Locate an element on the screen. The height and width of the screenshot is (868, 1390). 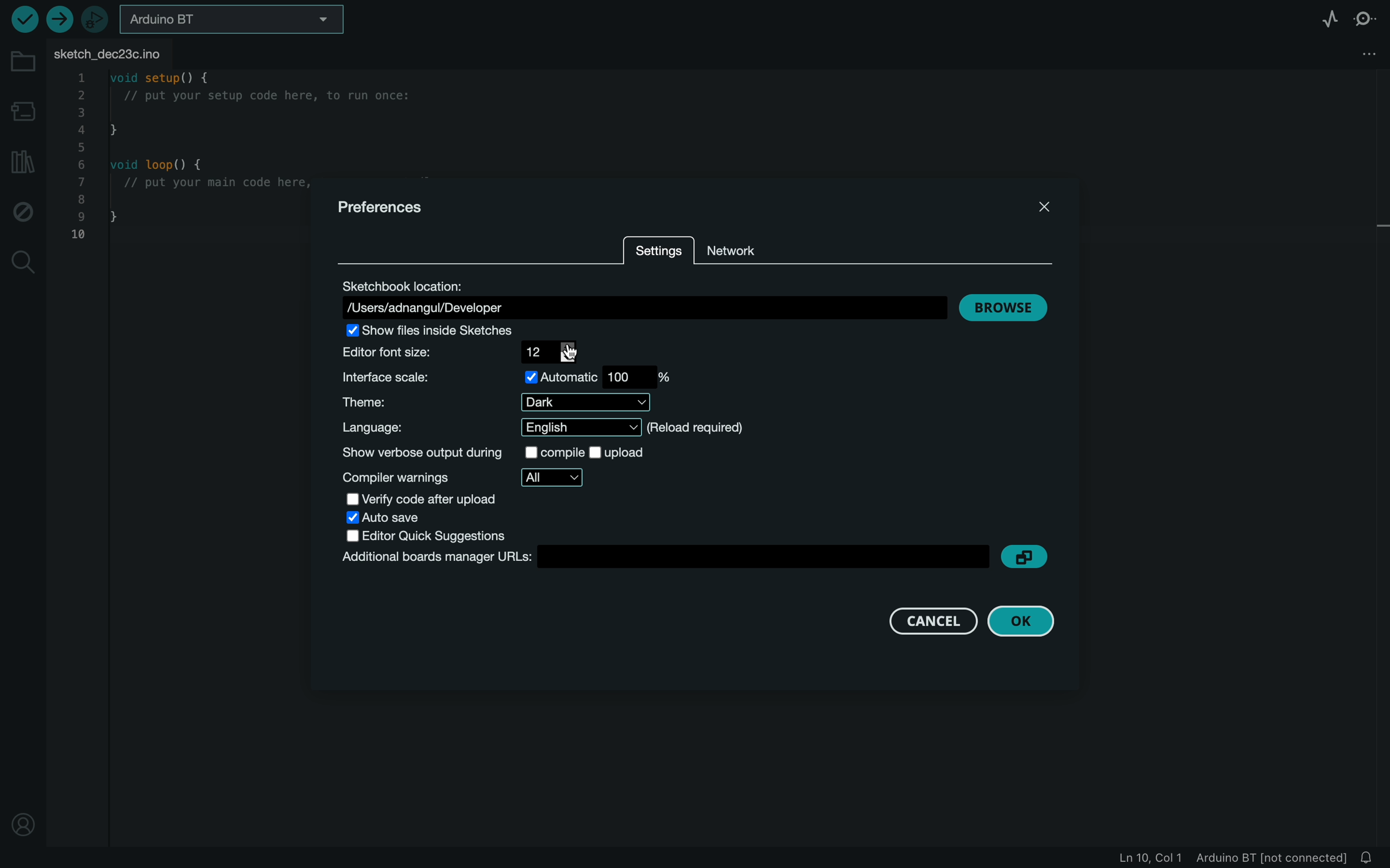
board manger is located at coordinates (661, 558).